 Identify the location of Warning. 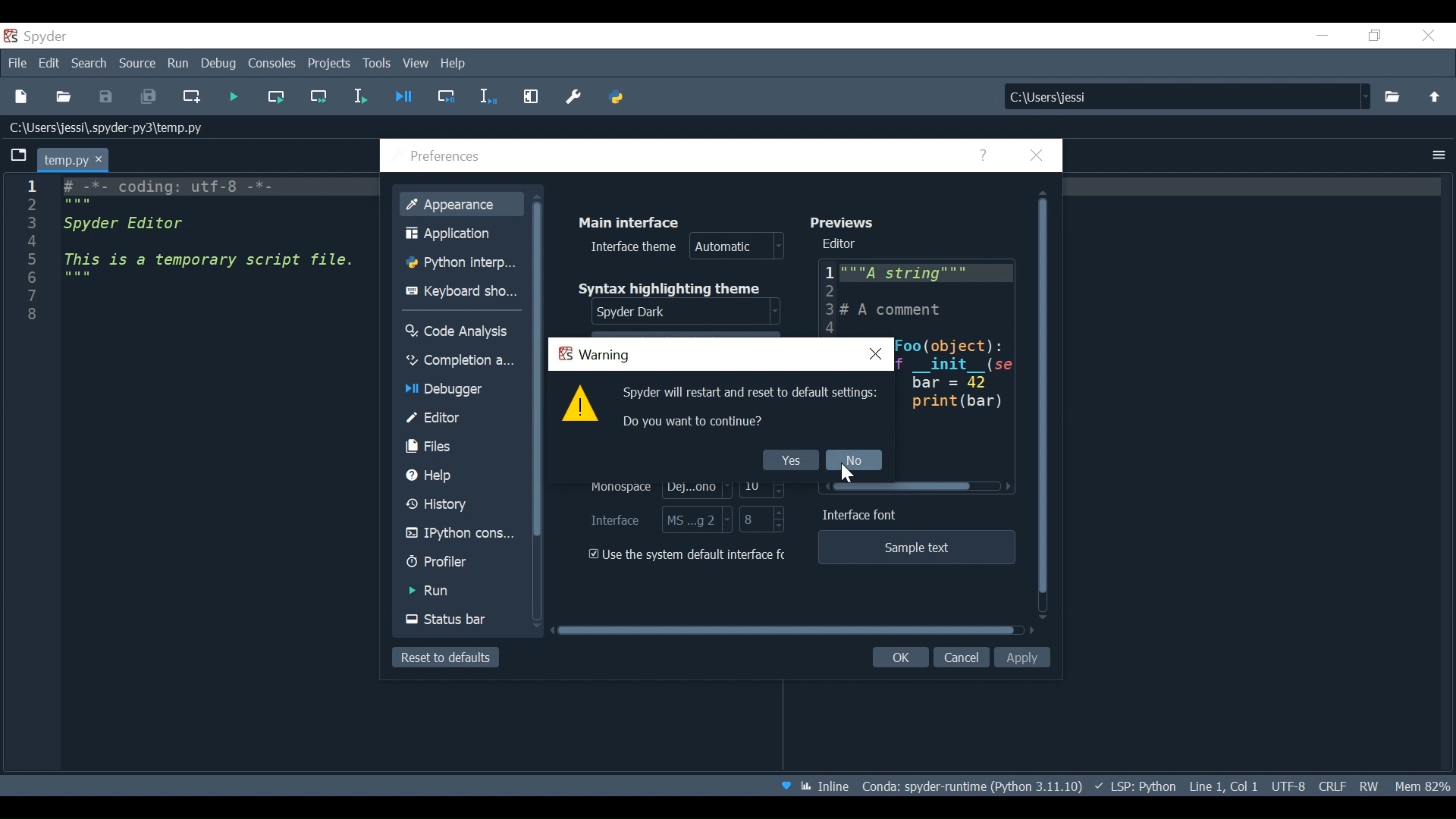
(595, 354).